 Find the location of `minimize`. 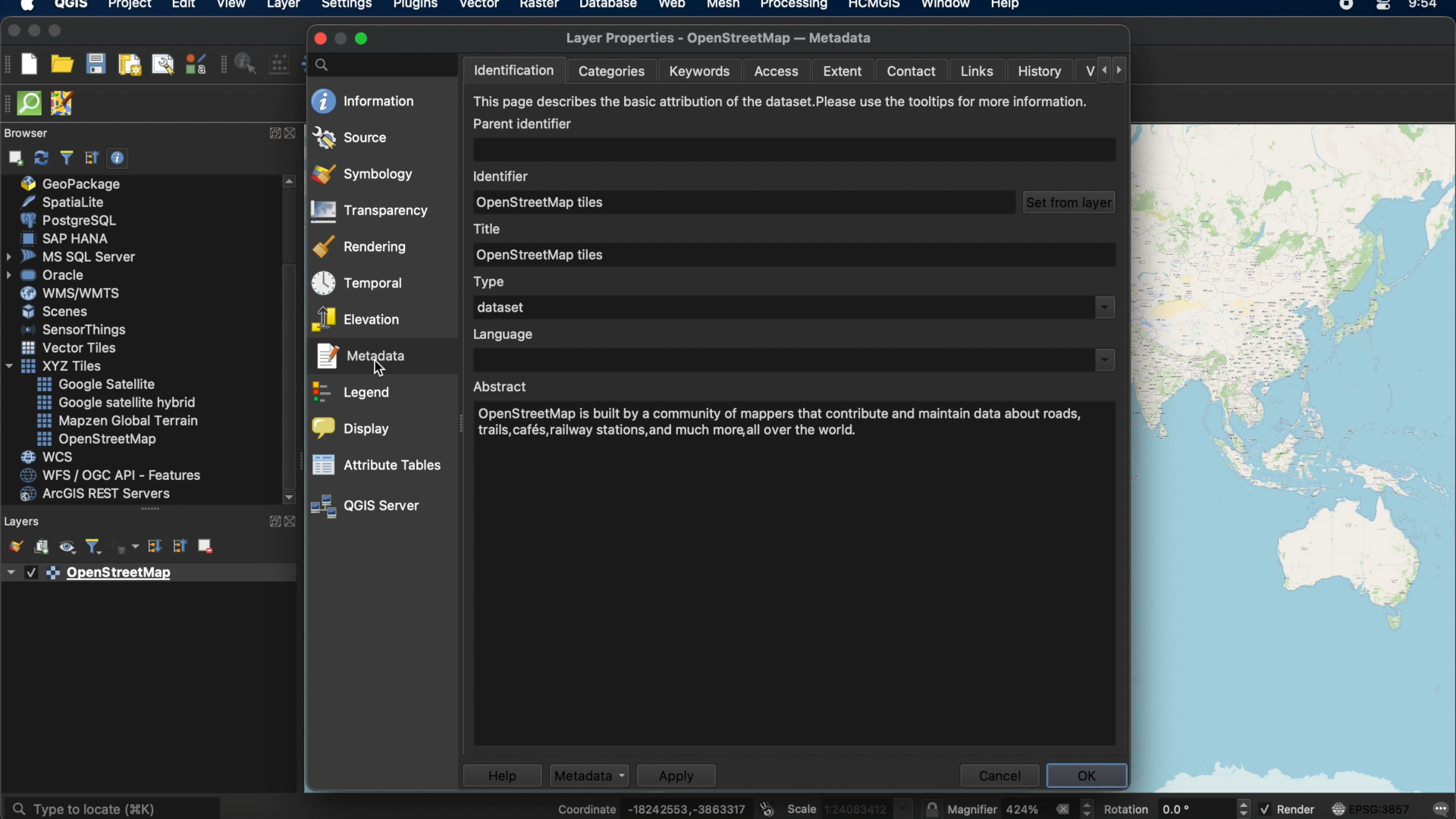

minimize is located at coordinates (33, 30).